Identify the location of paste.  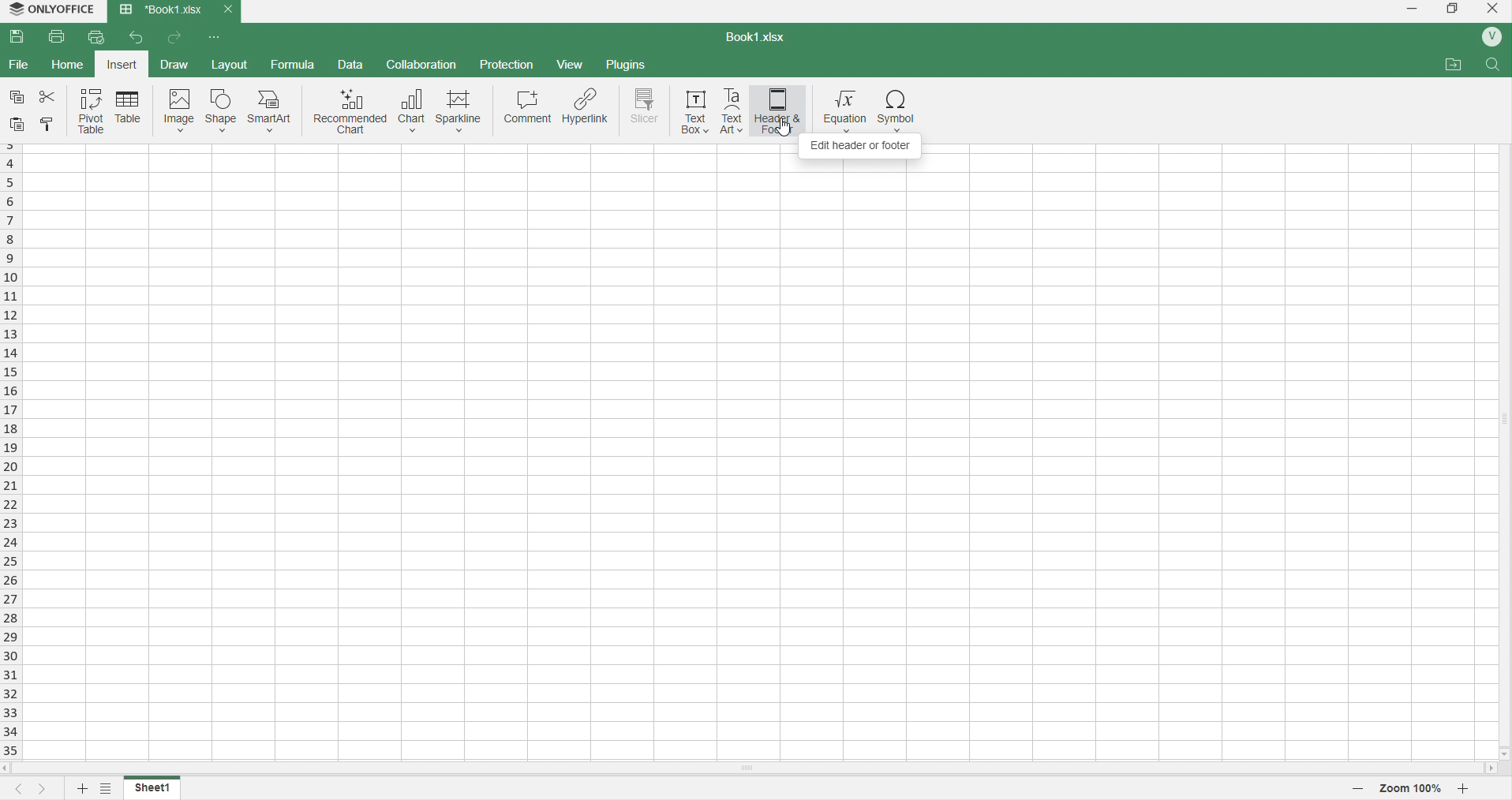
(19, 126).